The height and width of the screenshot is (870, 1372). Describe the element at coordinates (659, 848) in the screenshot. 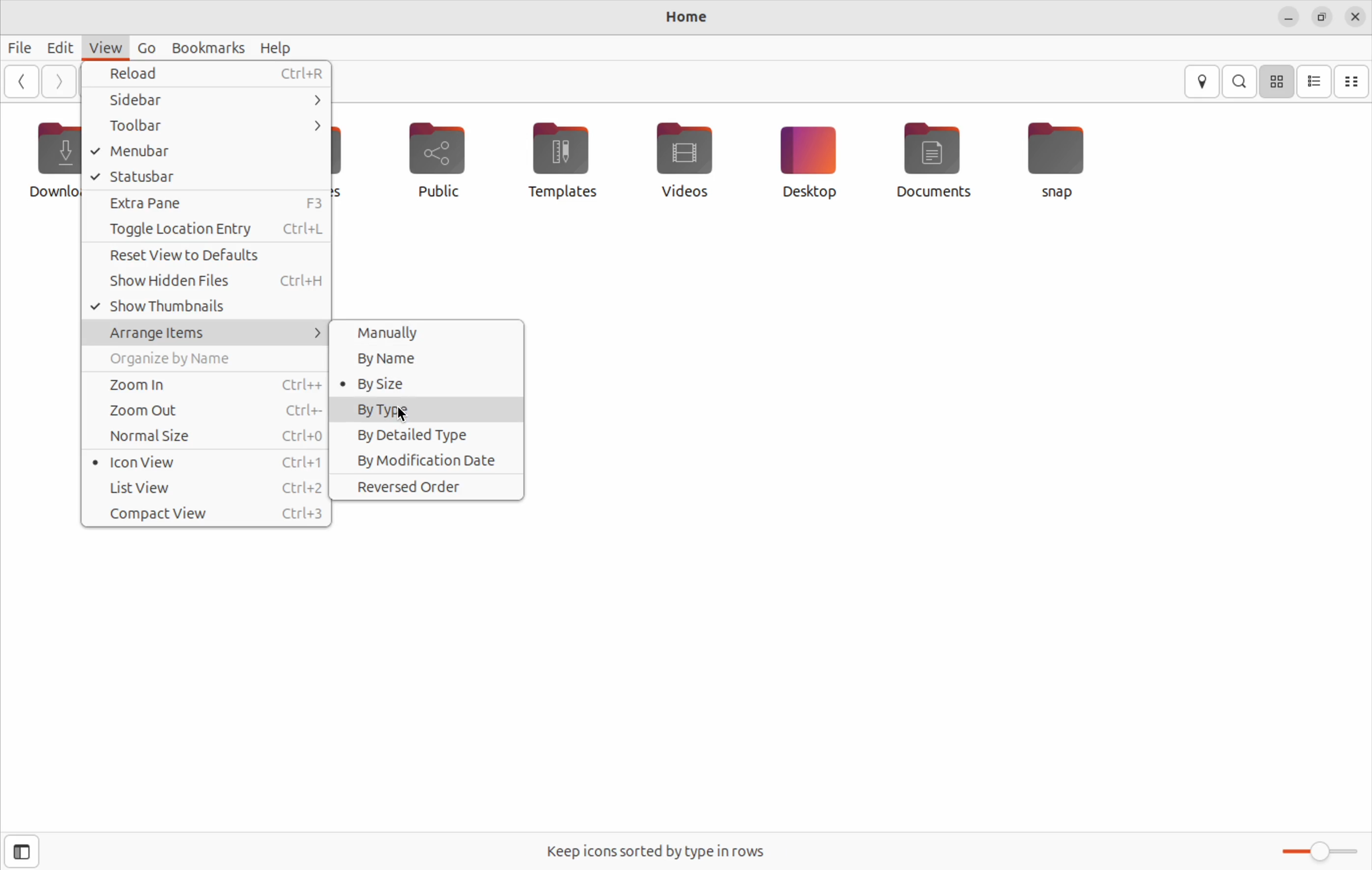

I see `Keep icons sorted by the types in rows` at that location.